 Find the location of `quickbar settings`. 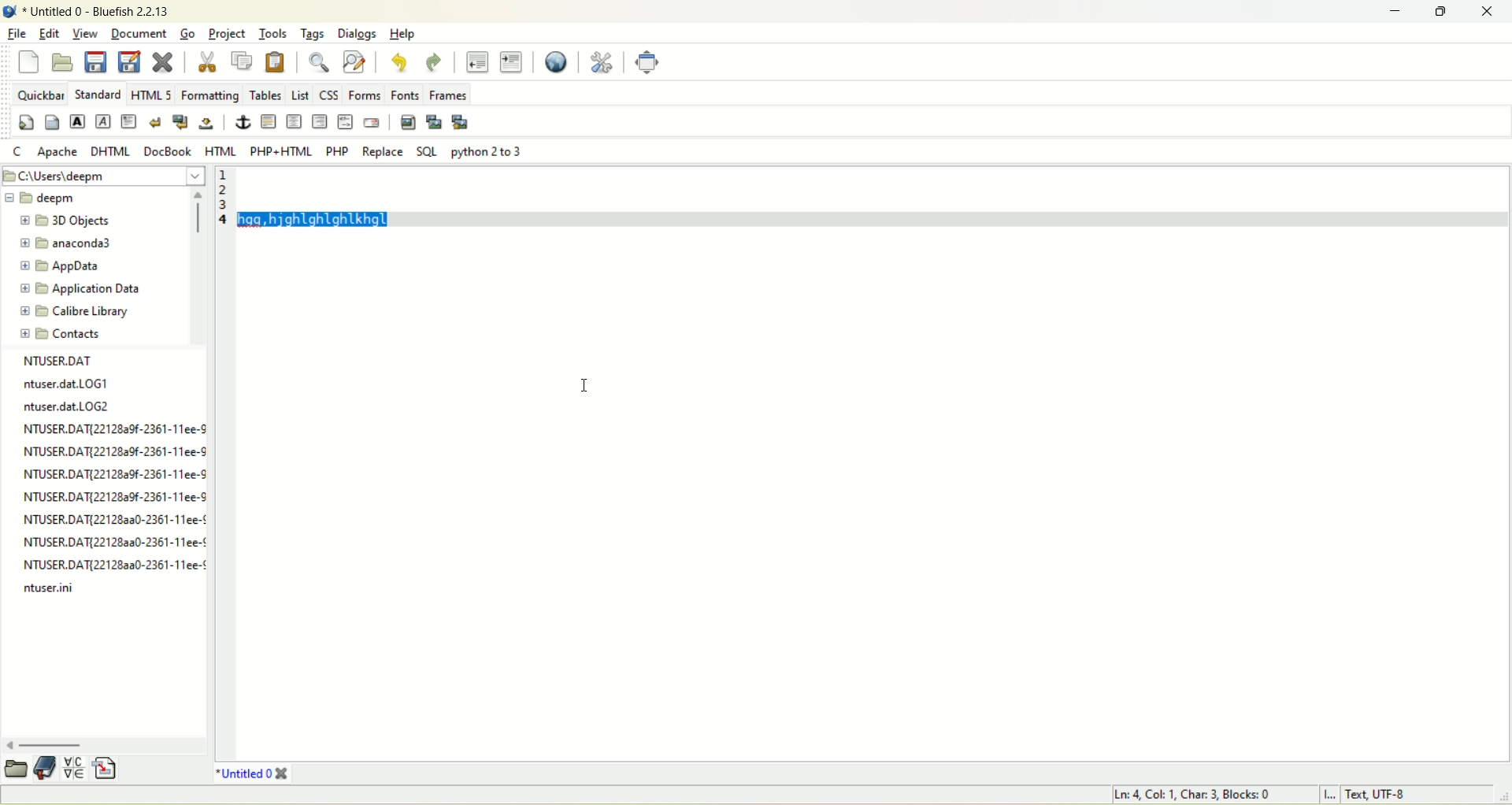

quickbar settings is located at coordinates (27, 122).